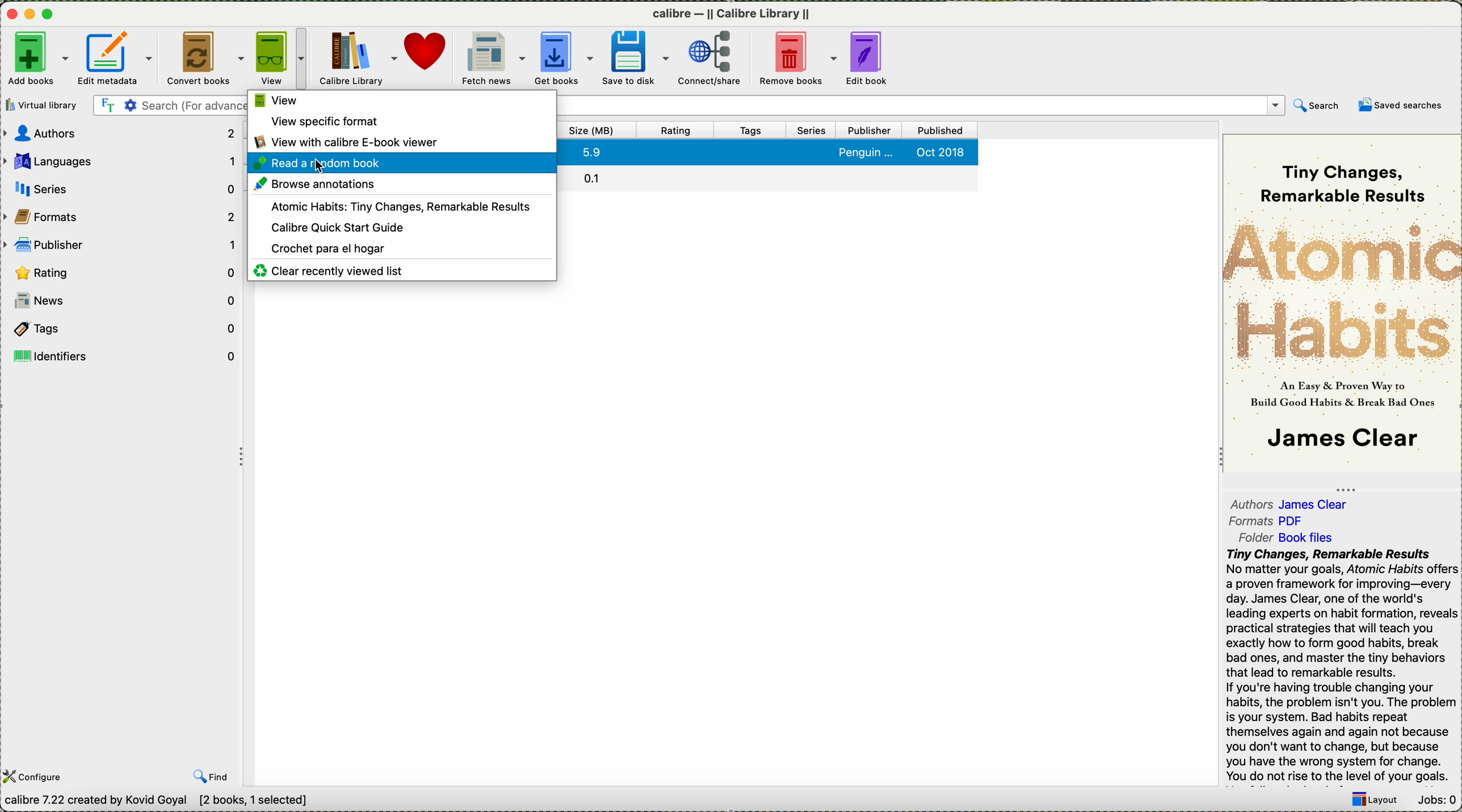  I want to click on authors, so click(119, 133).